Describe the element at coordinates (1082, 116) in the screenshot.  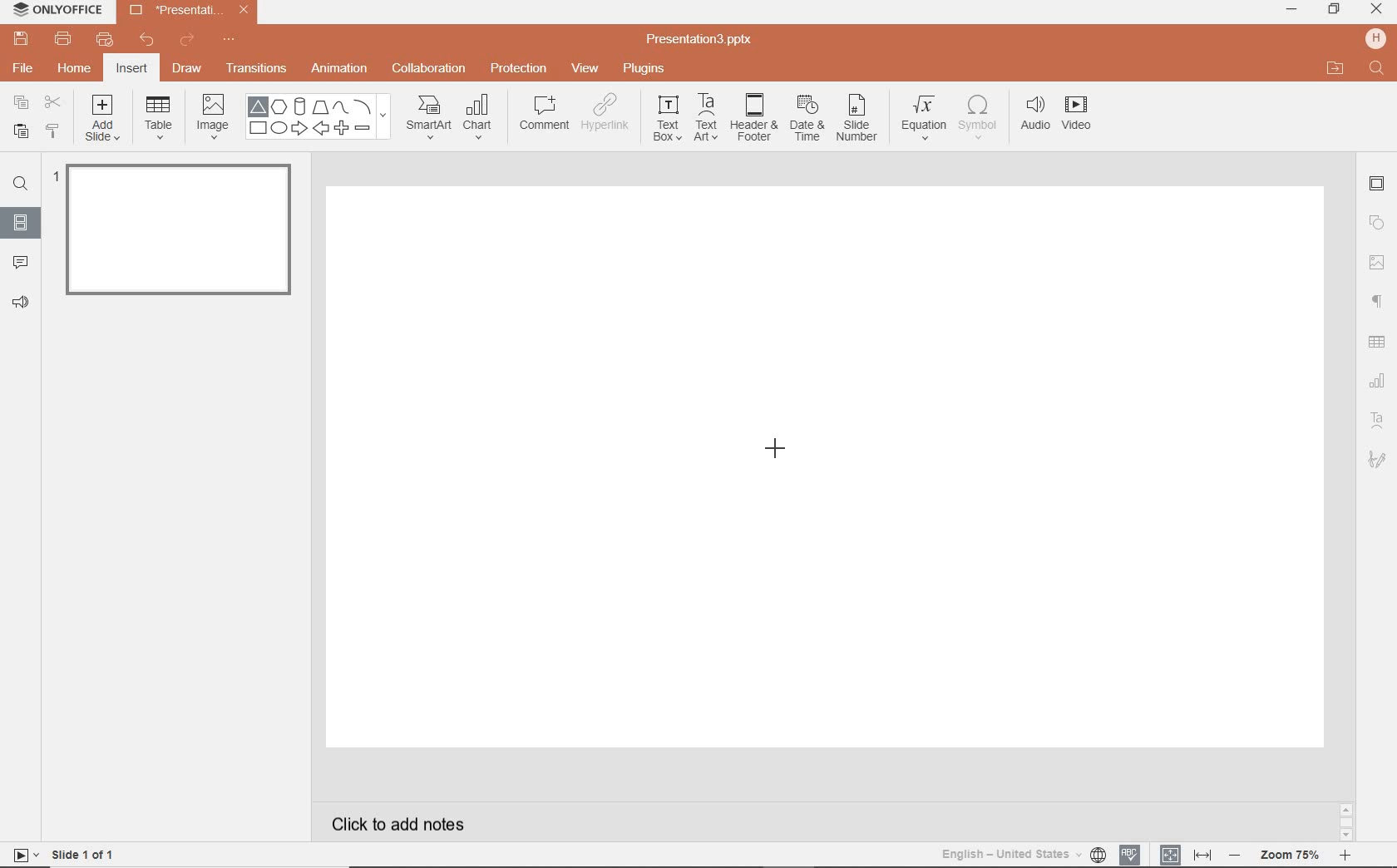
I see `VIDEO` at that location.